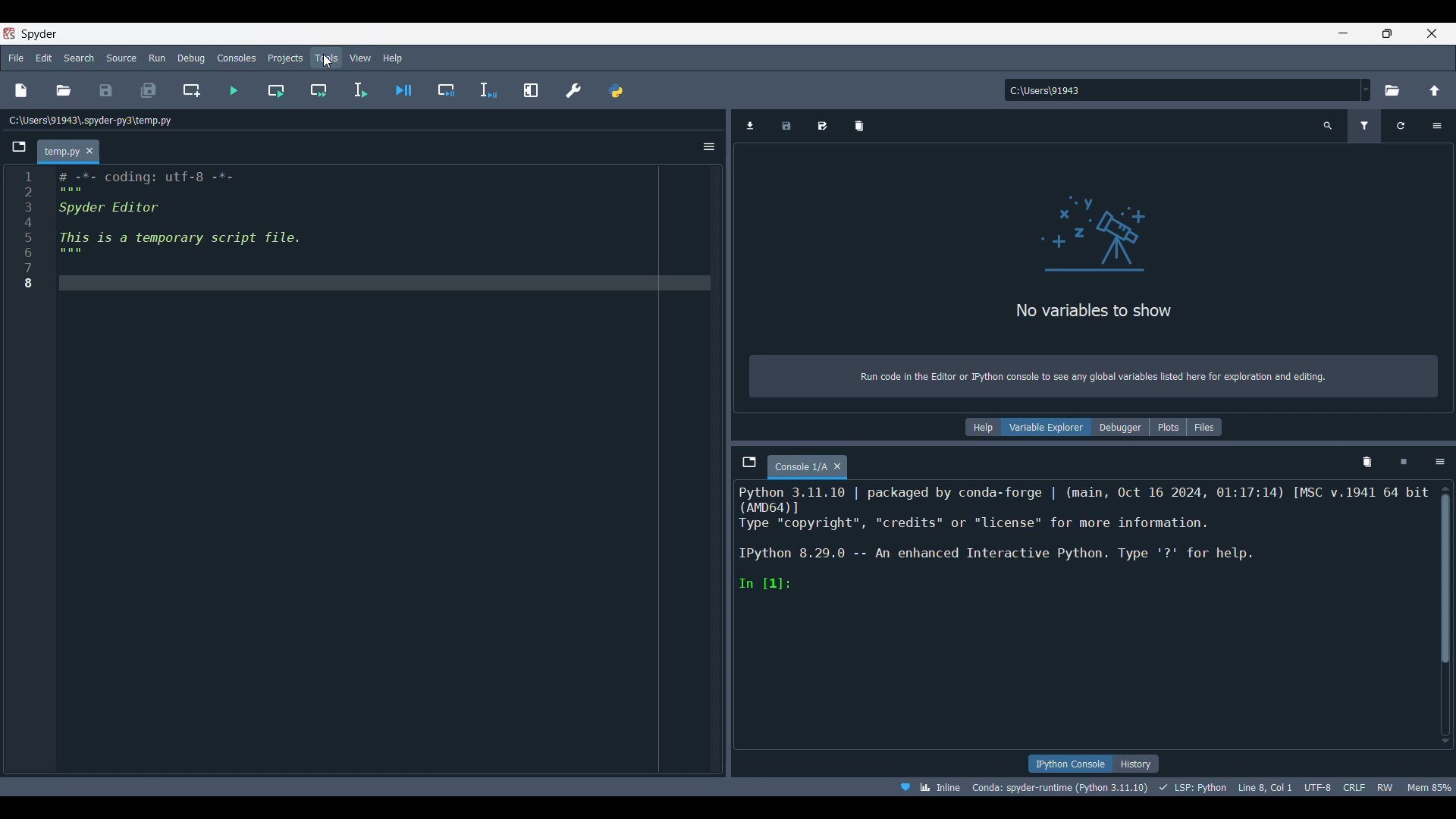 This screenshot has height=819, width=1456. Describe the element at coordinates (1120, 428) in the screenshot. I see `Debugger` at that location.